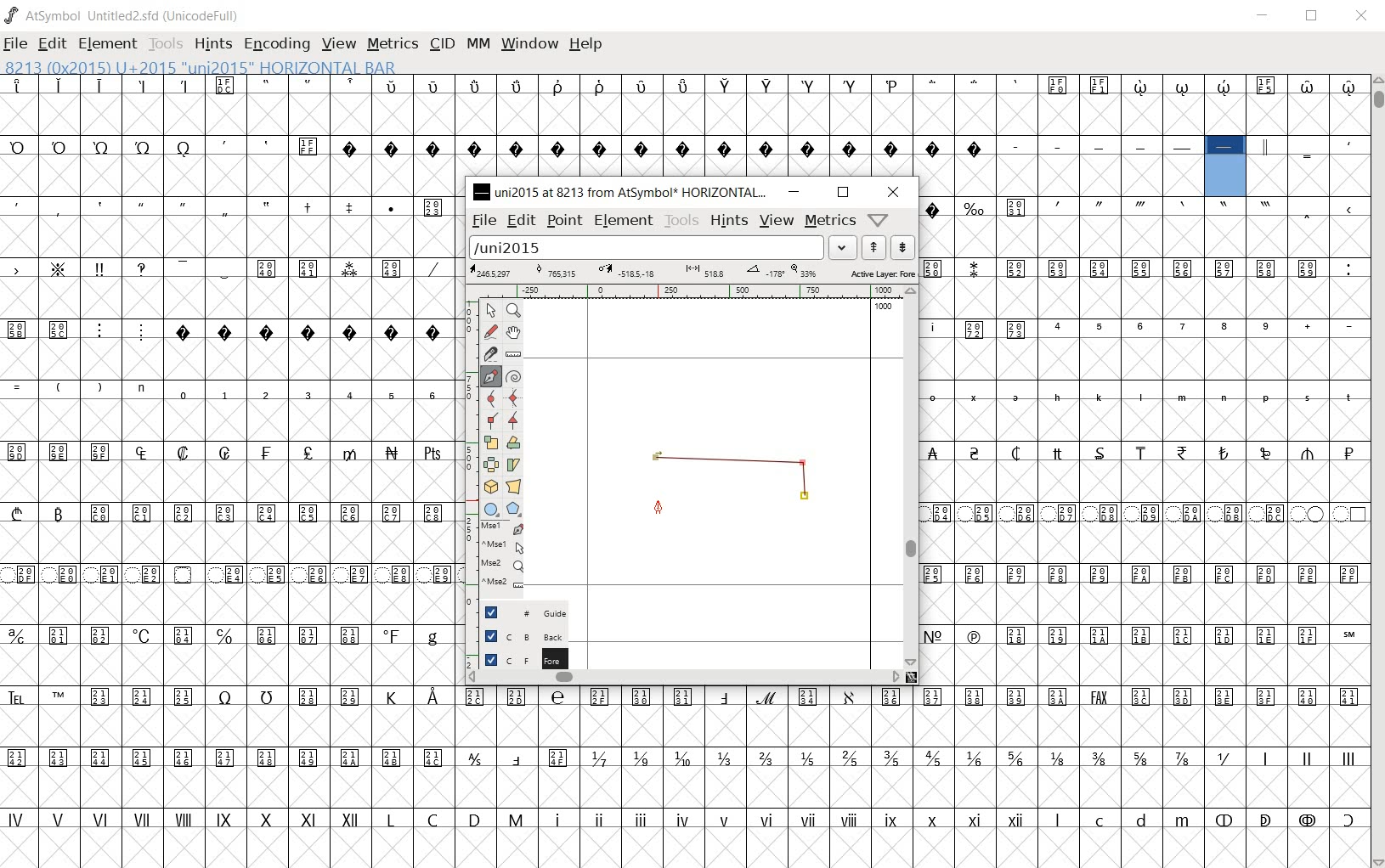 The image size is (1385, 868). I want to click on HELP, so click(588, 43).